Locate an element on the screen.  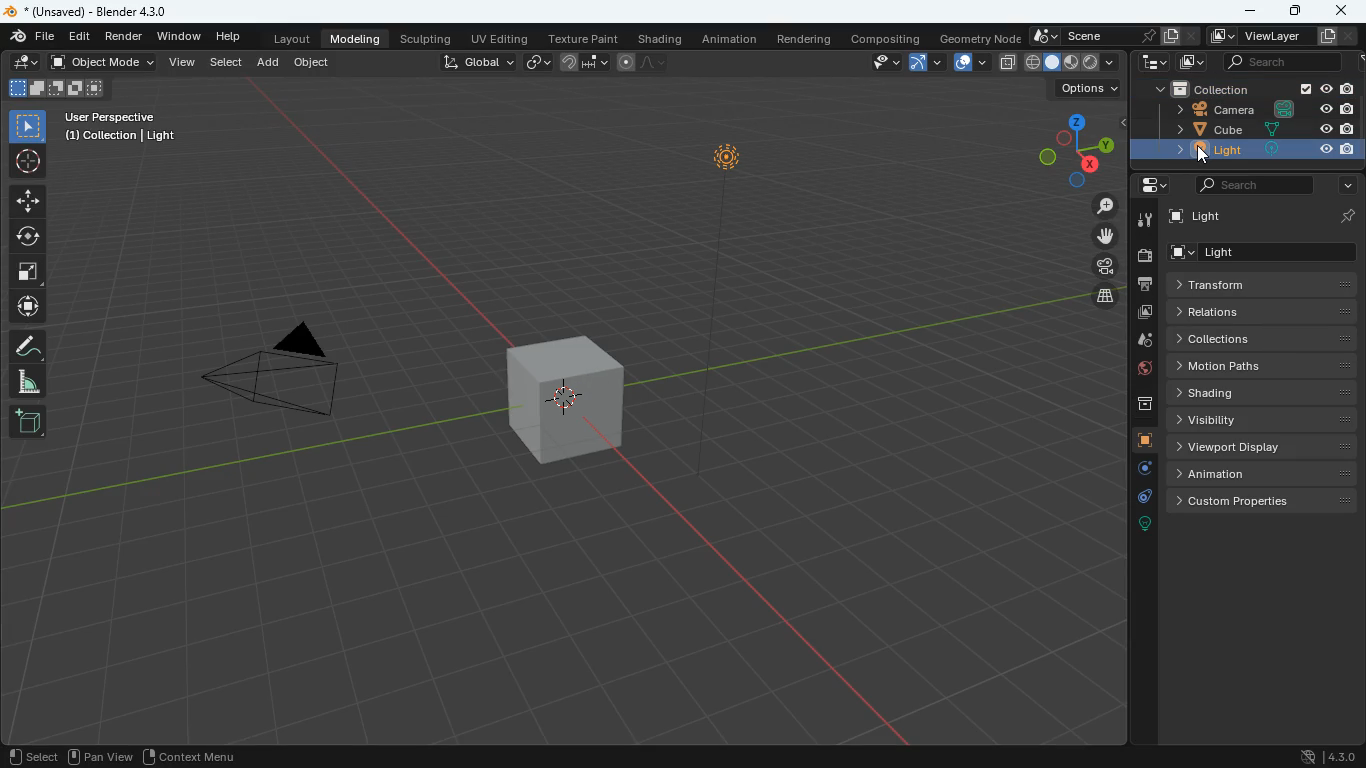
more is located at coordinates (1343, 184).